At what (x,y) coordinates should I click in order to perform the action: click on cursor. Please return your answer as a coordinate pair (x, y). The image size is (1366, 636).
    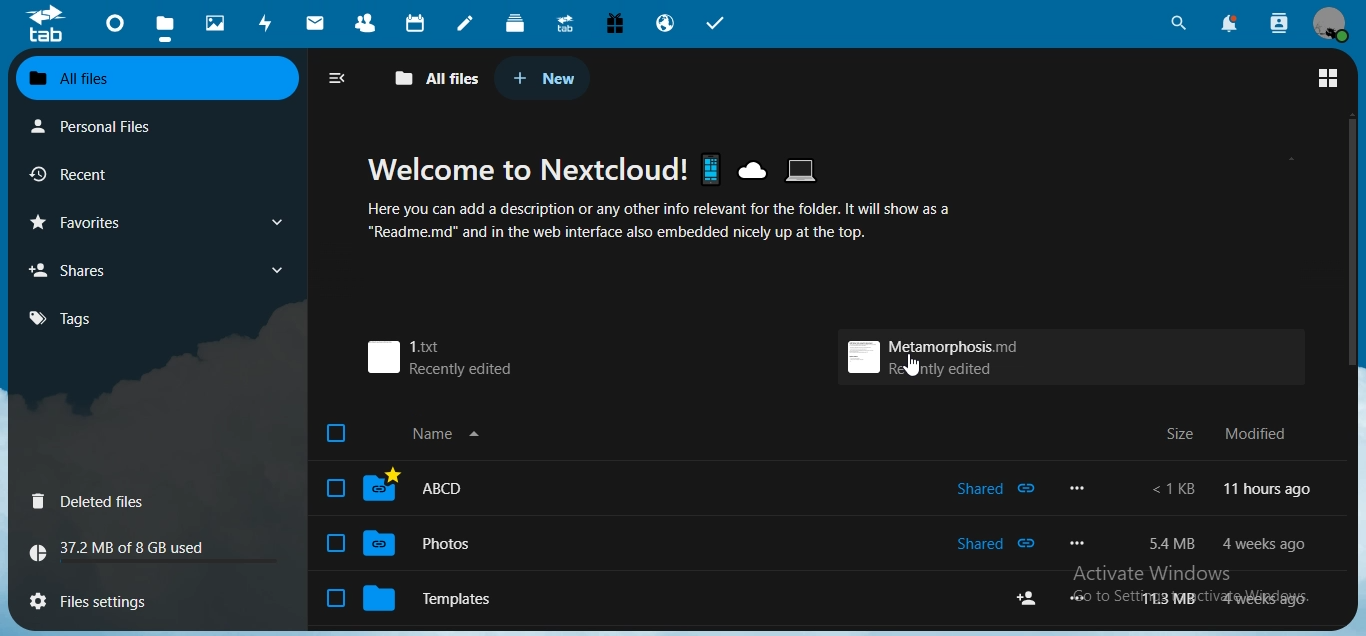
    Looking at the image, I should click on (914, 364).